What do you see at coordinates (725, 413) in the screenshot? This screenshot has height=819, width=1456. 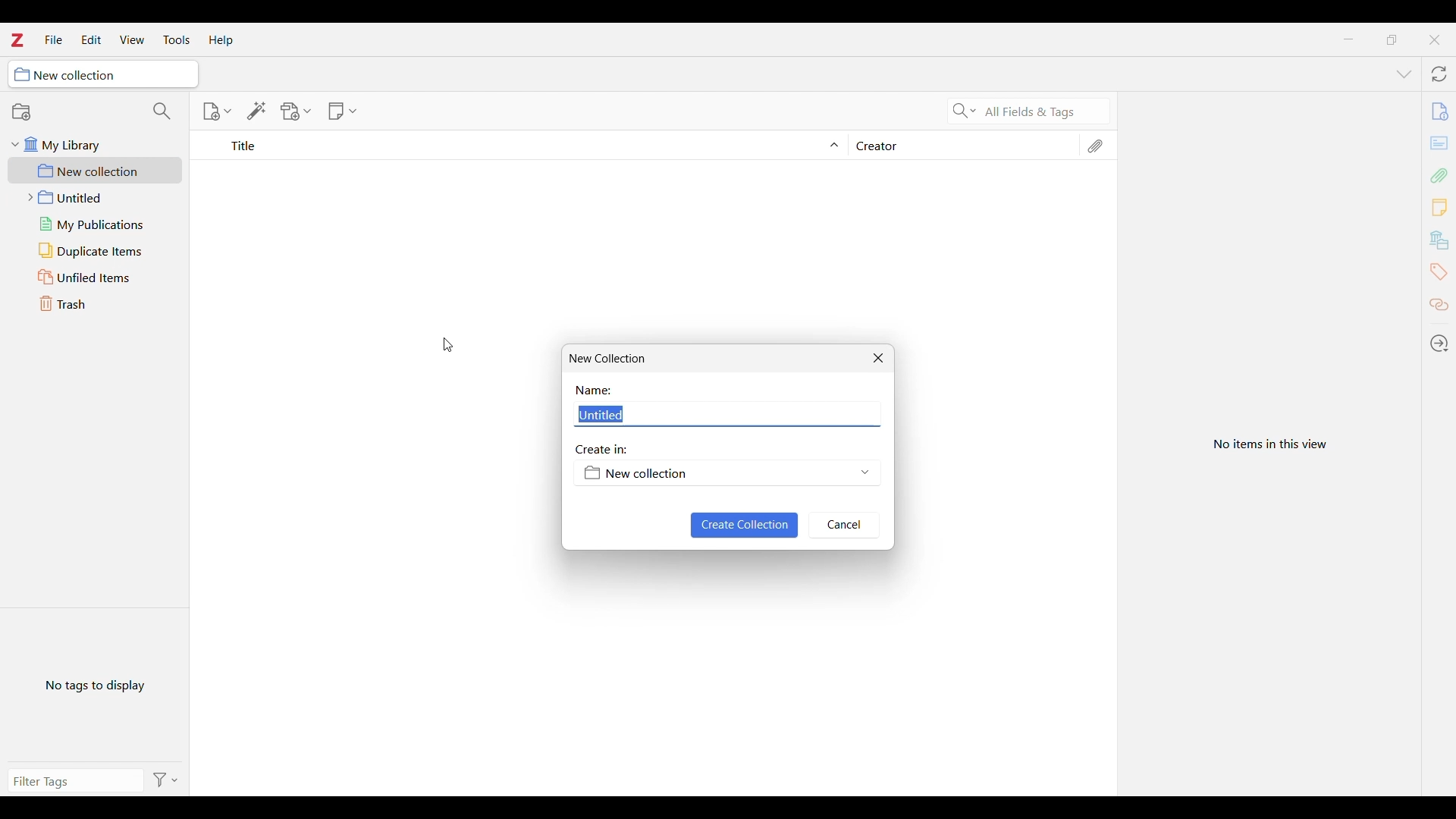 I see `Typing name of new collection` at bounding box center [725, 413].